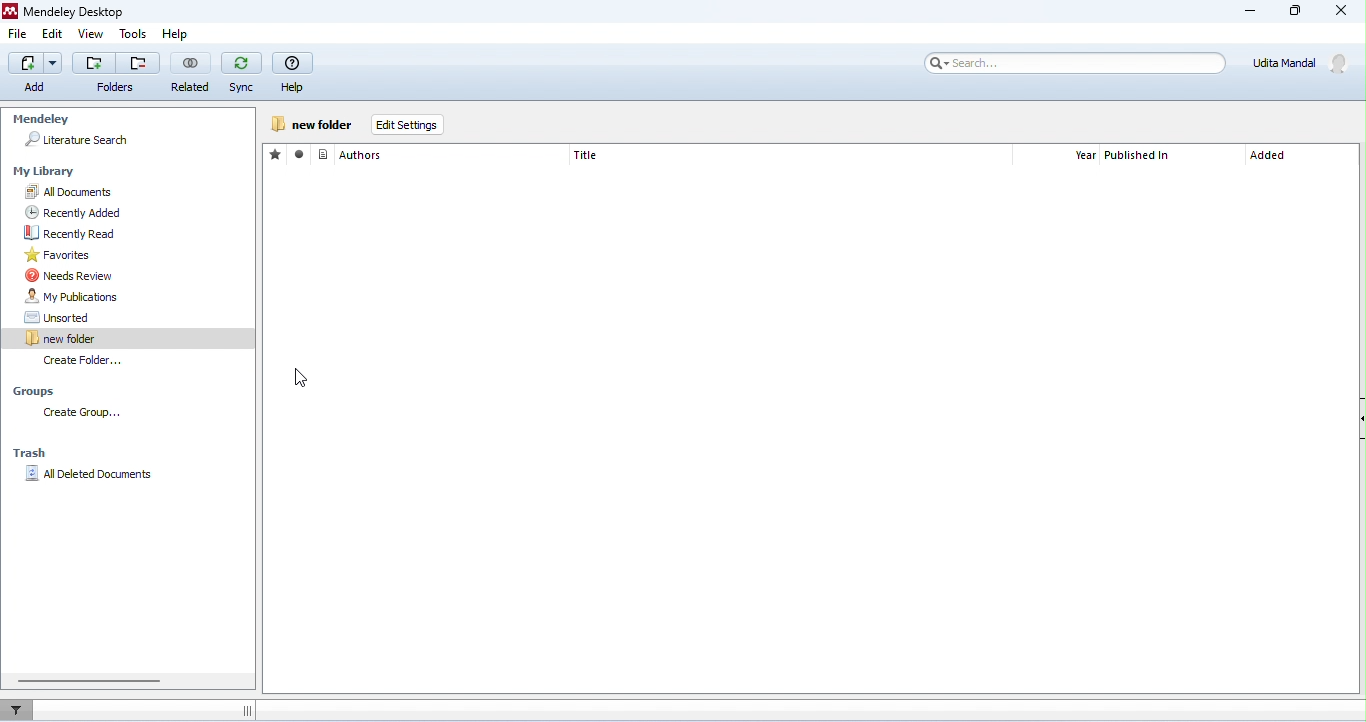 This screenshot has width=1366, height=722. Describe the element at coordinates (302, 155) in the screenshot. I see `read / unread` at that location.